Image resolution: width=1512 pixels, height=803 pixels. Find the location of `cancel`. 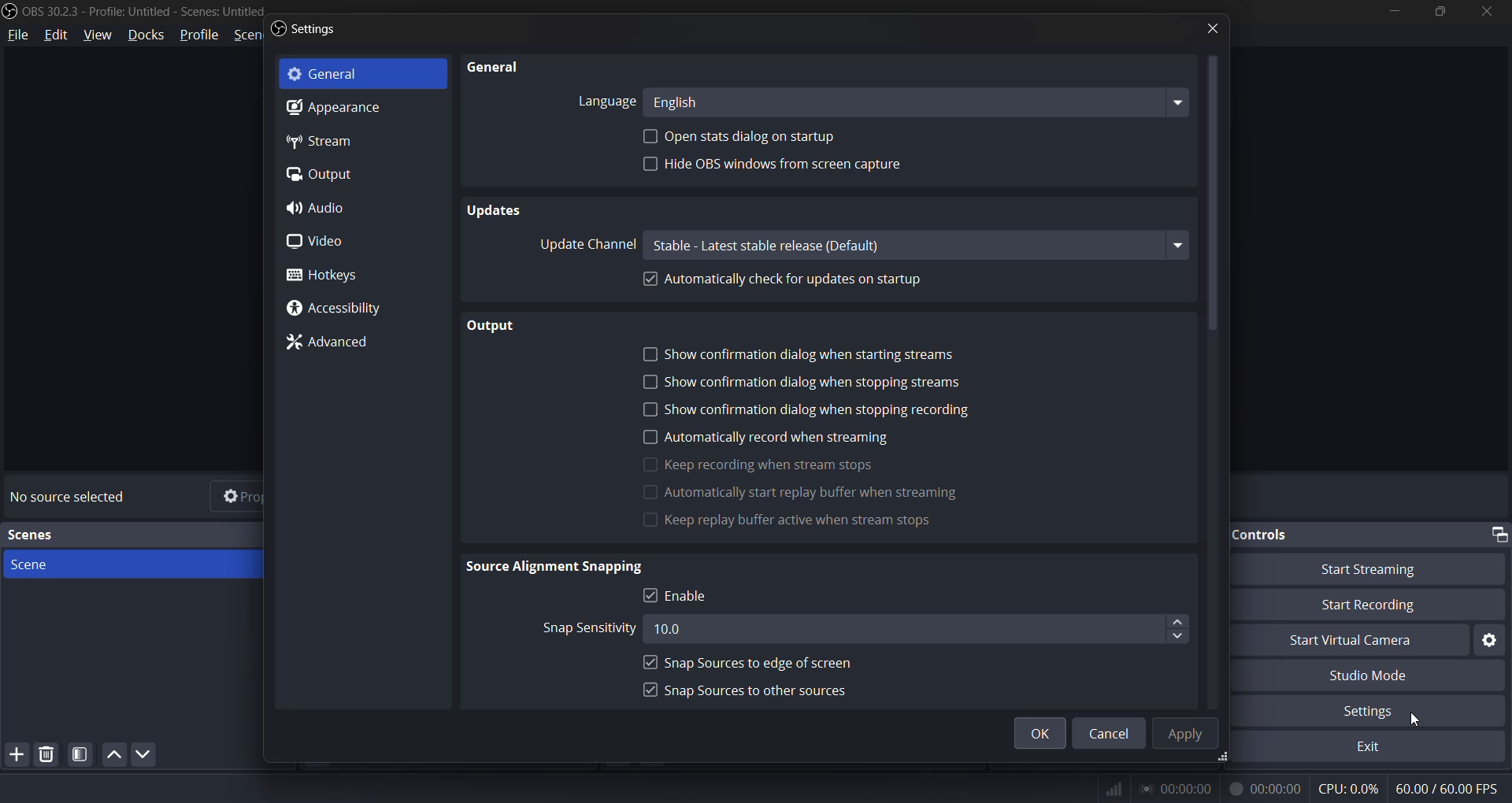

cancel is located at coordinates (1106, 734).